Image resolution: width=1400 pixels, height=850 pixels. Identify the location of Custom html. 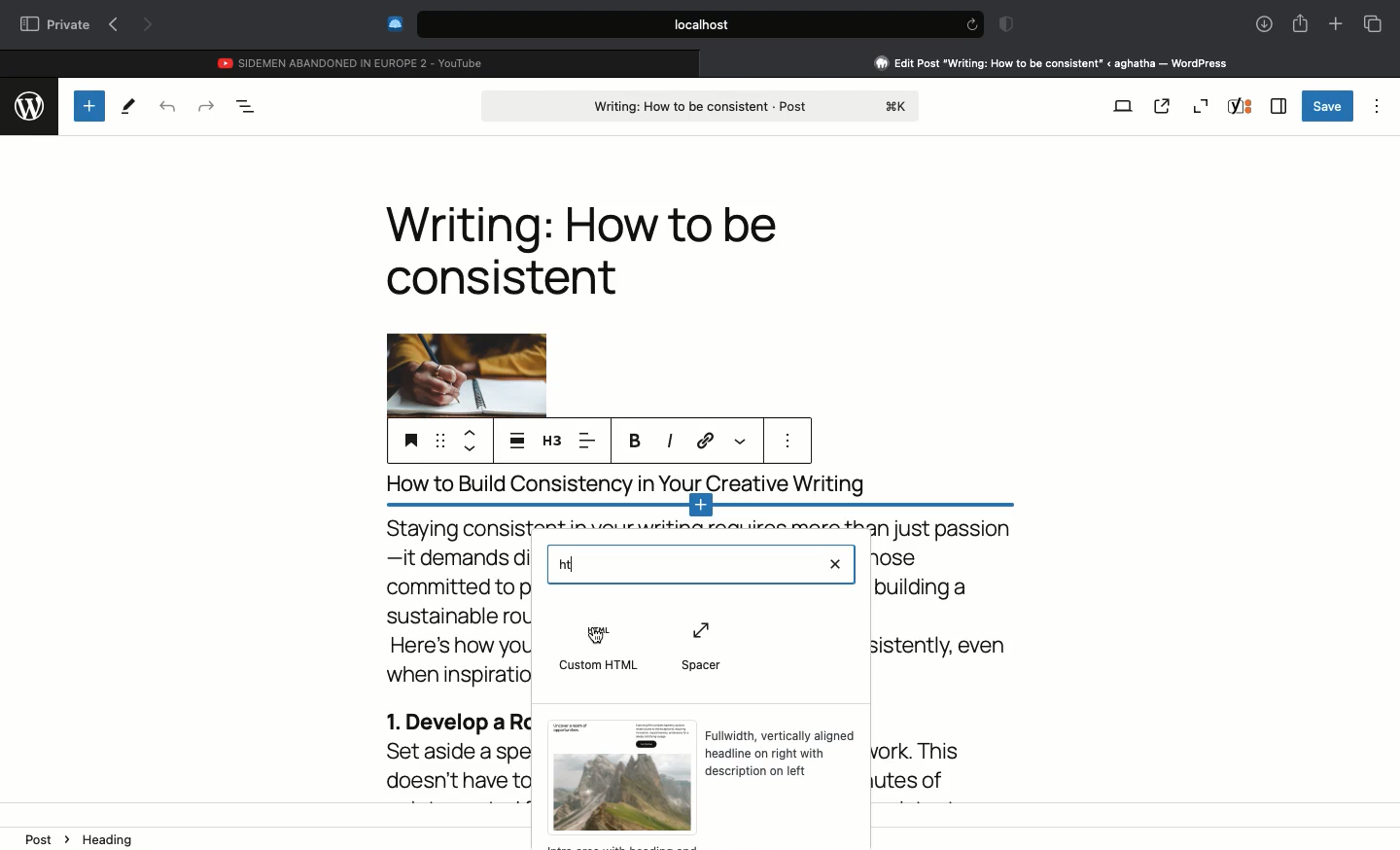
(597, 652).